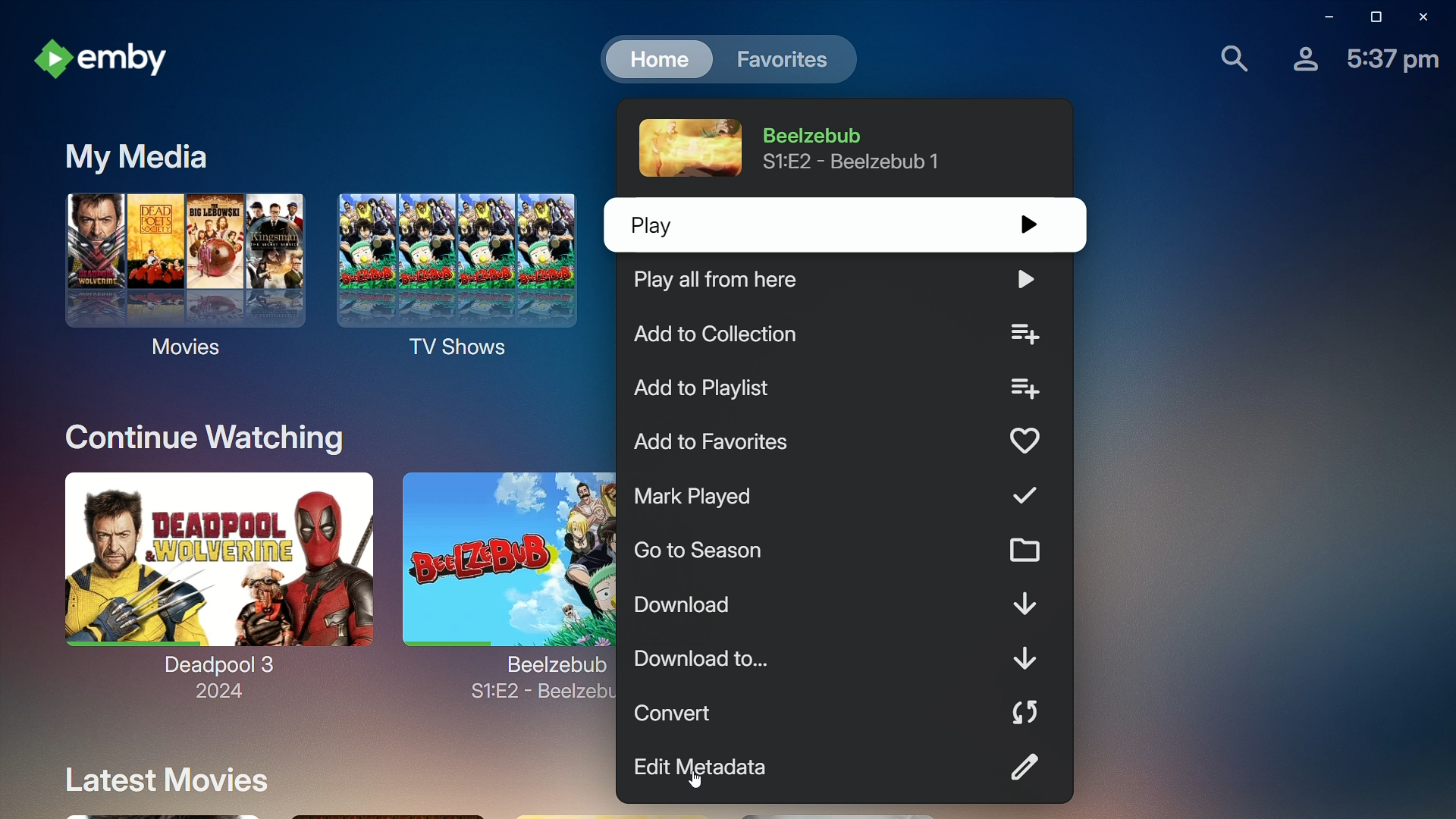  What do you see at coordinates (160, 779) in the screenshot?
I see `Latest Movies` at bounding box center [160, 779].